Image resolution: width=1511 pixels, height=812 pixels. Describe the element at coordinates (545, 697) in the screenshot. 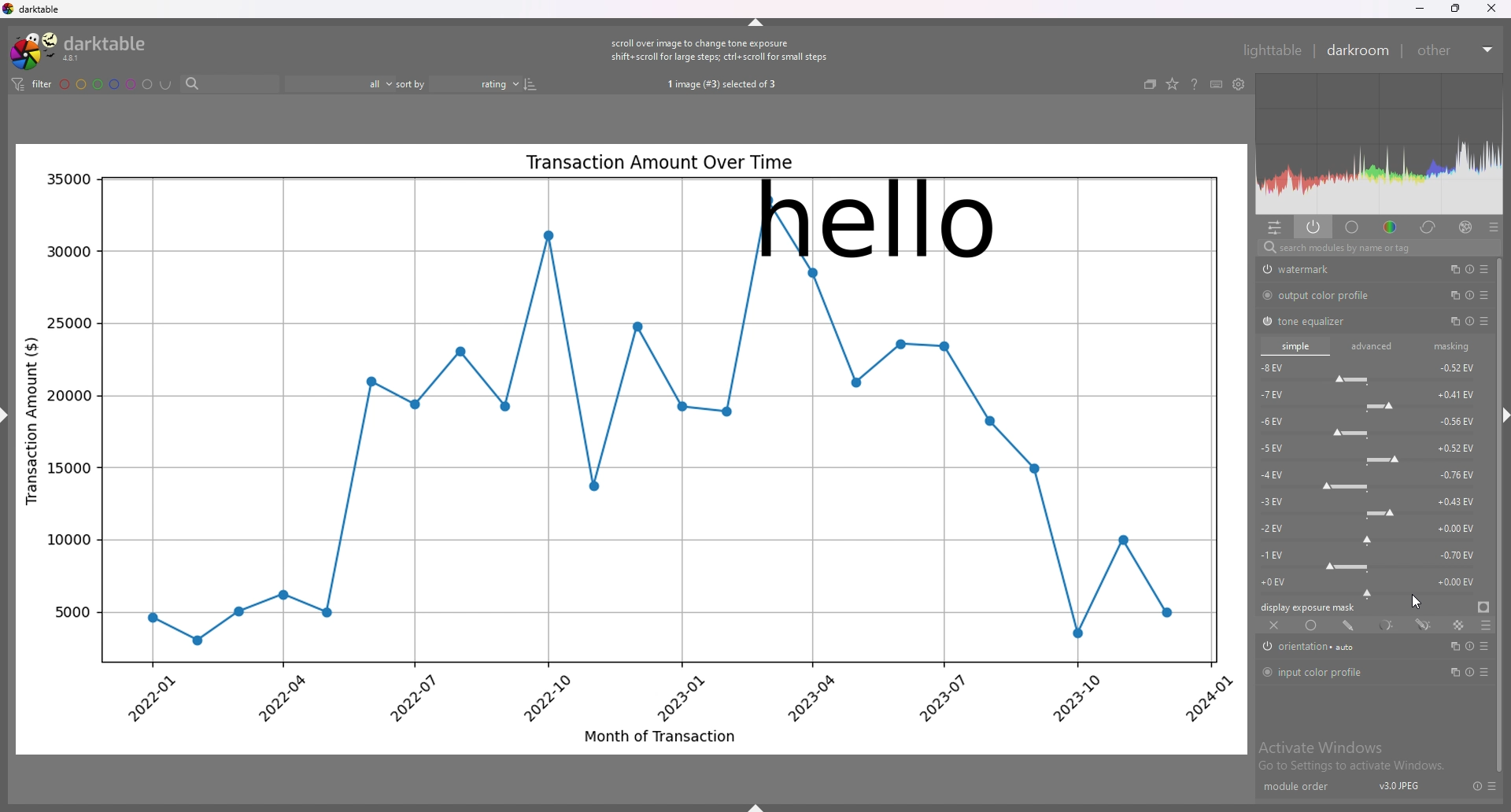

I see `2022-10` at that location.